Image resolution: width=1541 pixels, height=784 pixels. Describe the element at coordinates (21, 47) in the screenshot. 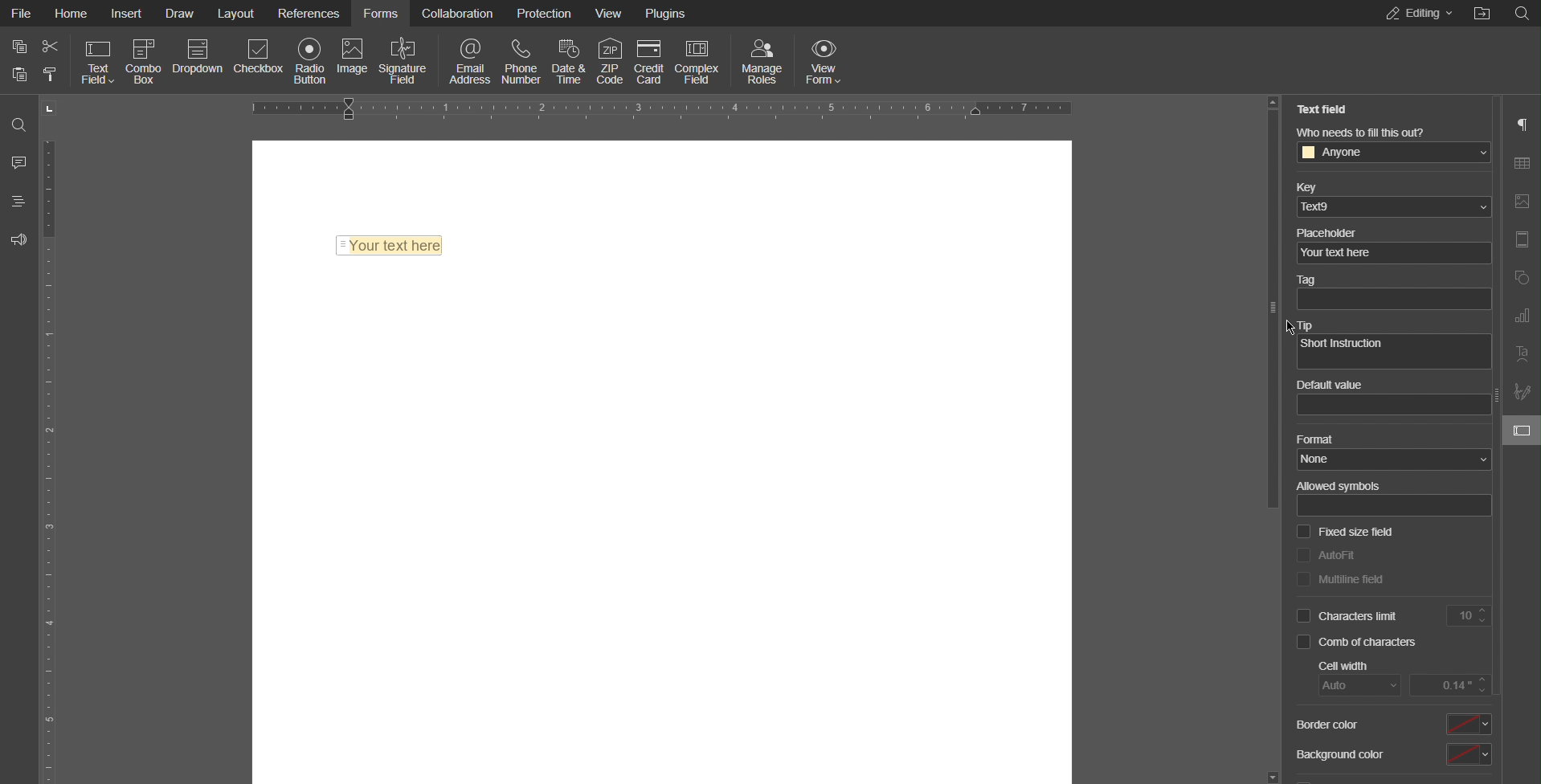

I see `copy` at that location.